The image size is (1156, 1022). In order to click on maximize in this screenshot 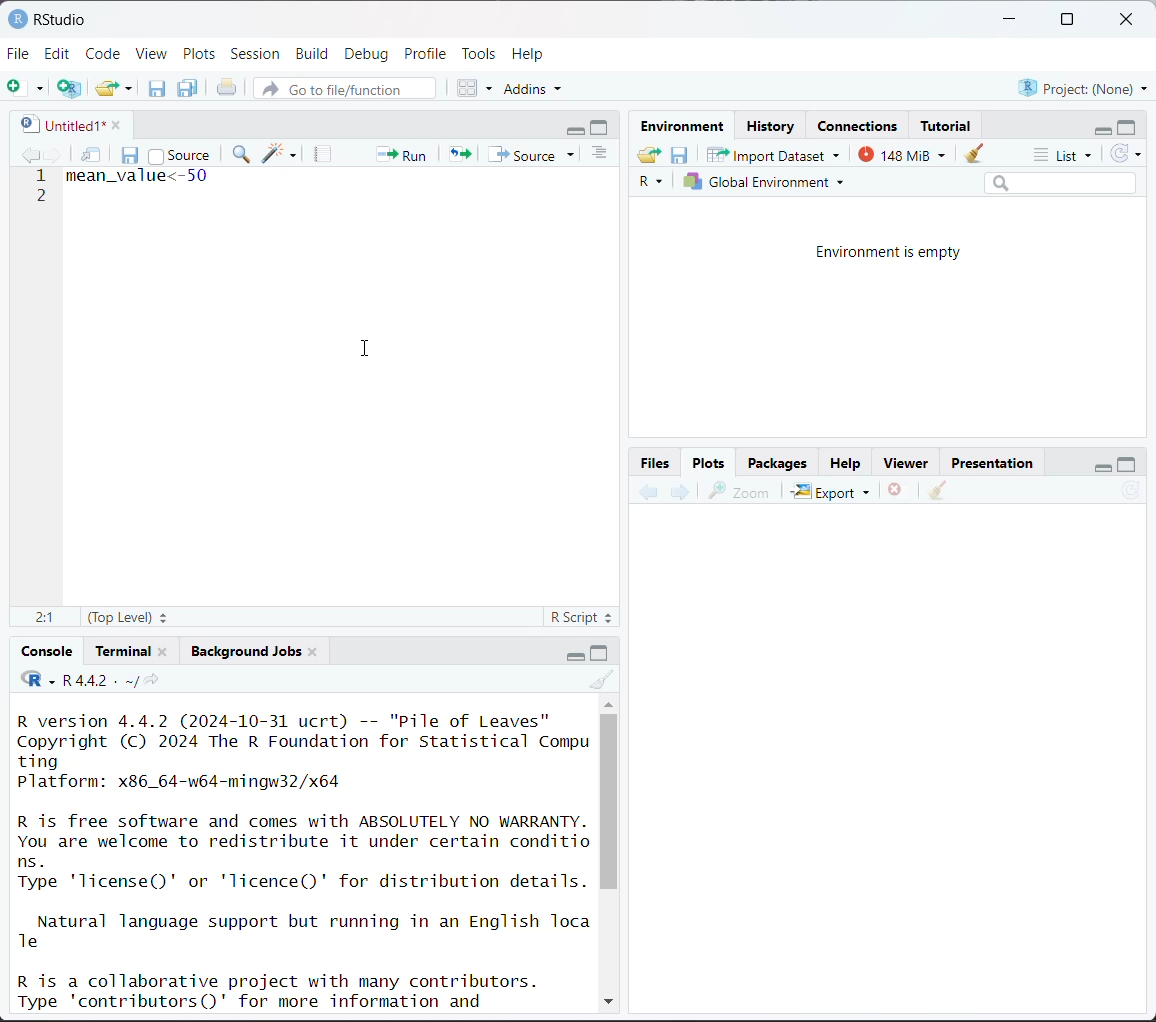, I will do `click(1127, 463)`.